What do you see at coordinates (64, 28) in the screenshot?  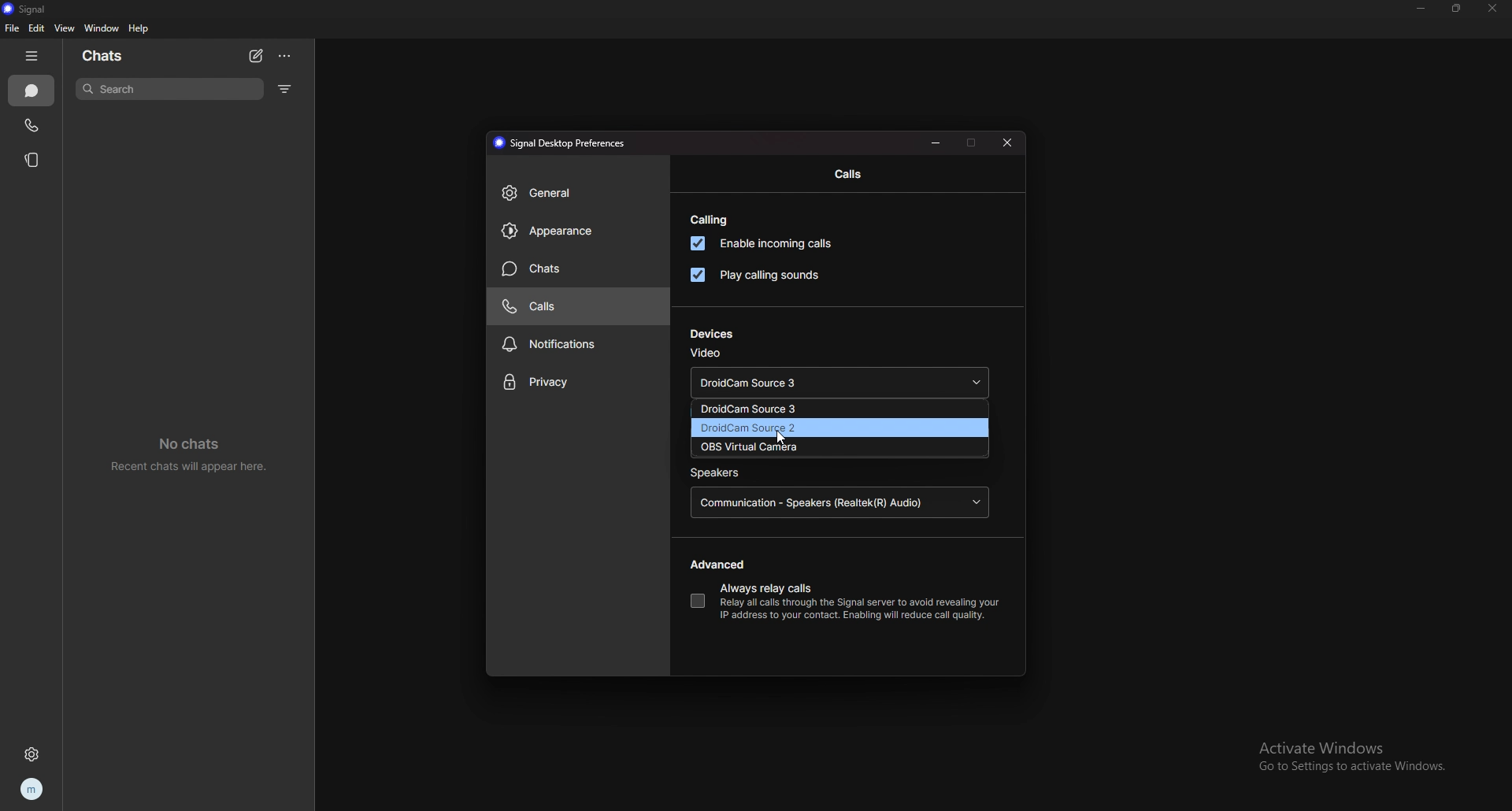 I see `view` at bounding box center [64, 28].